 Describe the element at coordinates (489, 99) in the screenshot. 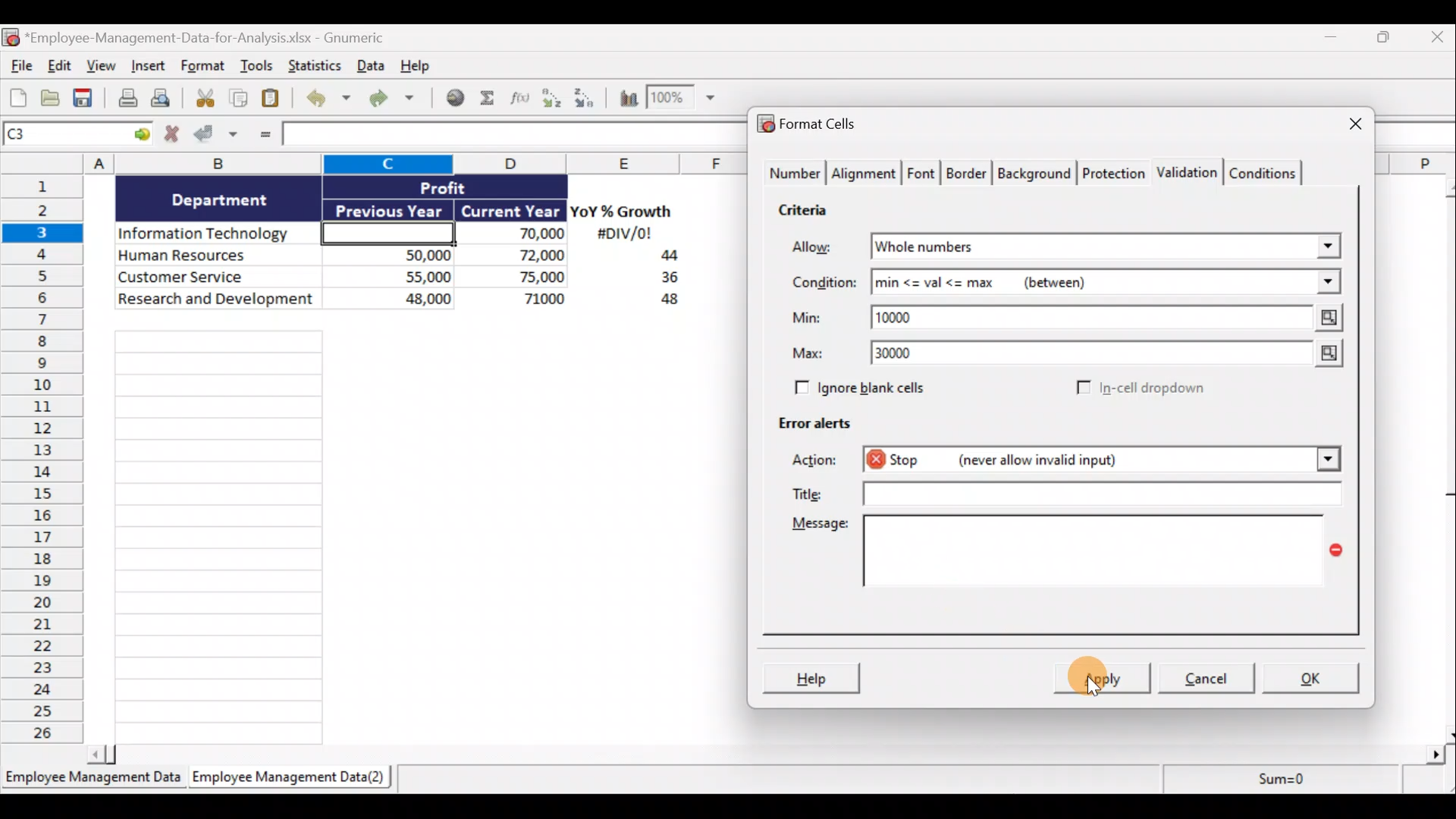

I see `Sum into the current cell` at that location.